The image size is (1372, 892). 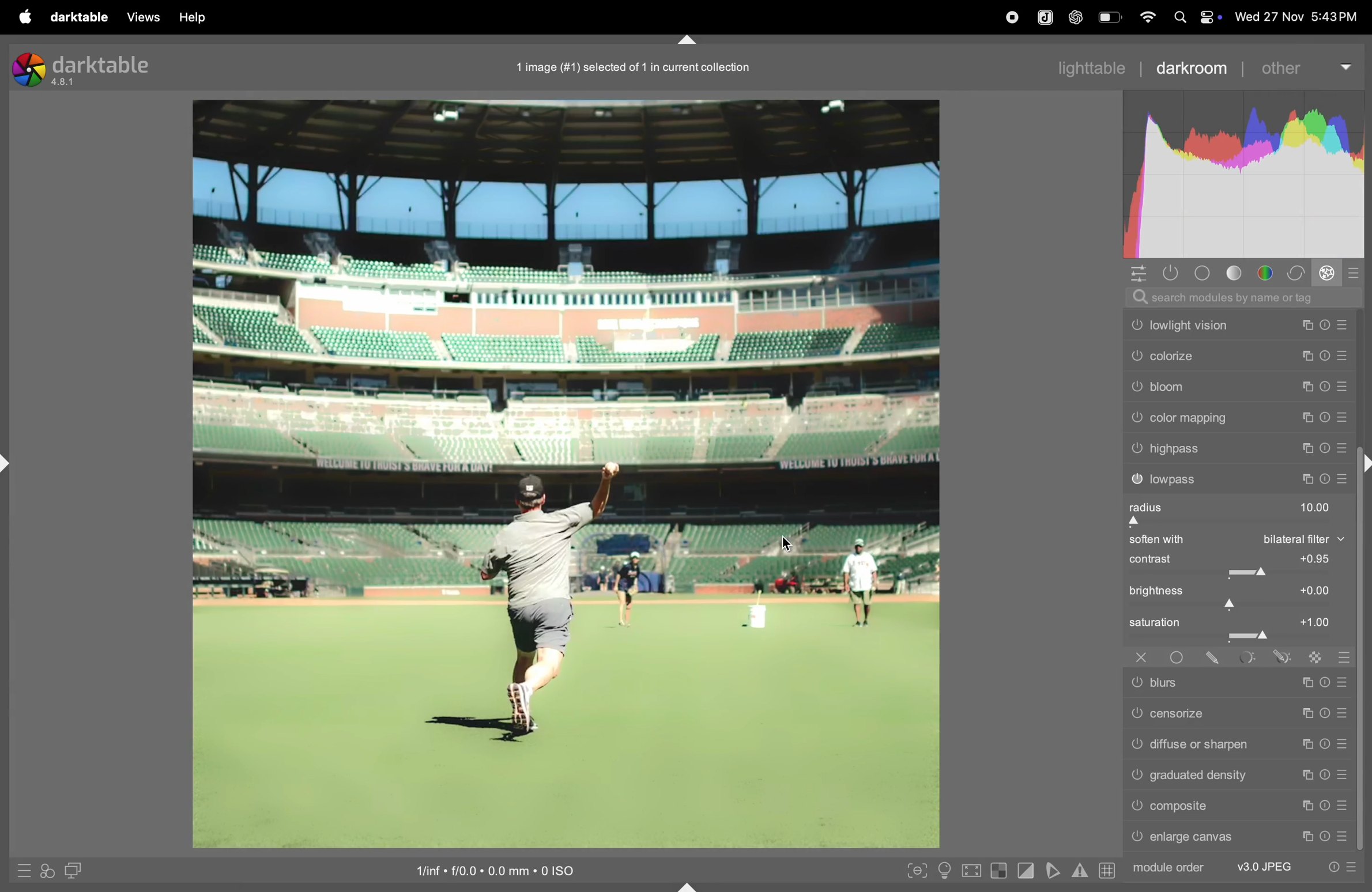 What do you see at coordinates (1111, 17) in the screenshot?
I see `battery` at bounding box center [1111, 17].